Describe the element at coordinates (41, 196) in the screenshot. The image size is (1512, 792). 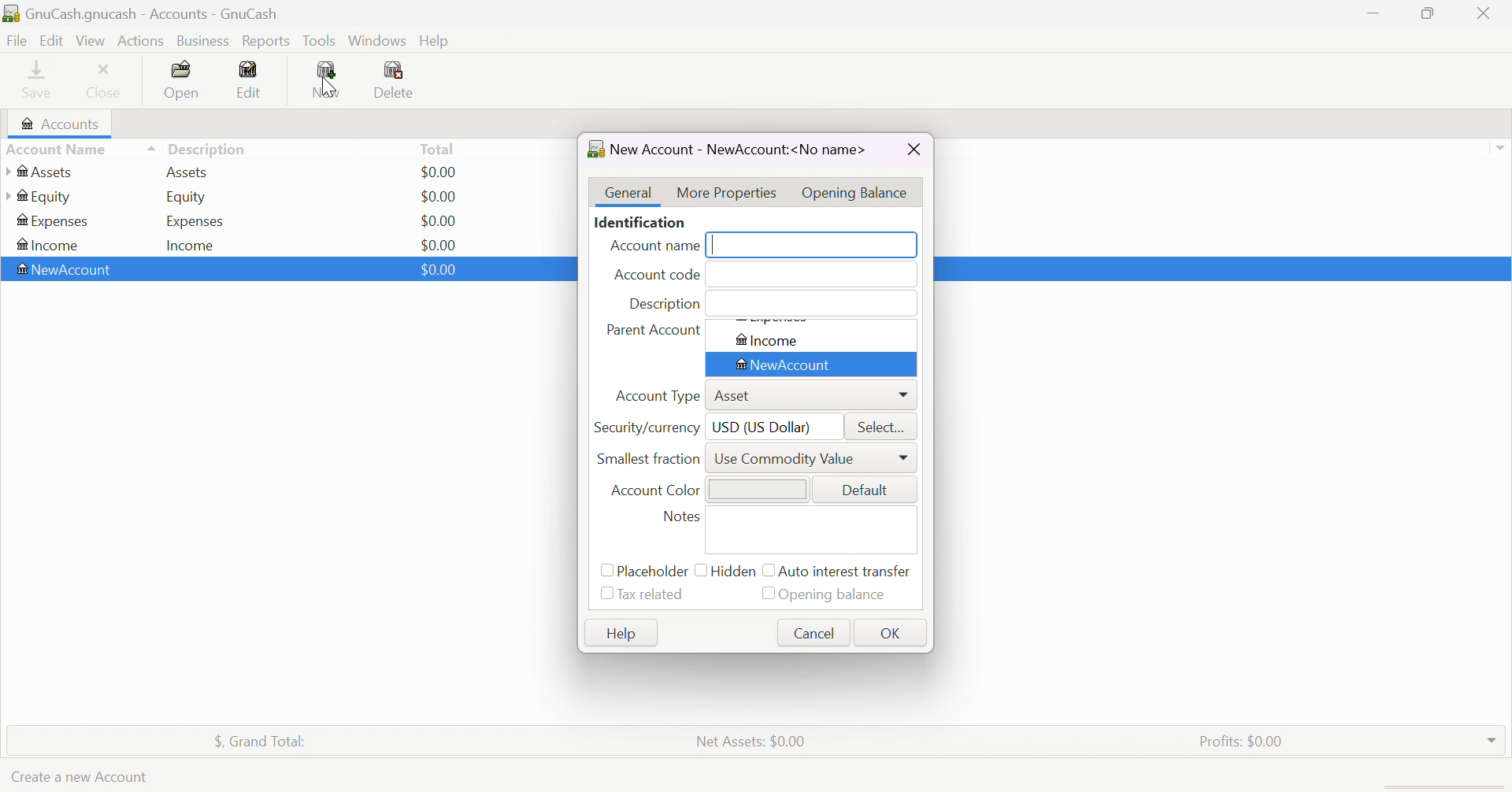
I see `Equity` at that location.